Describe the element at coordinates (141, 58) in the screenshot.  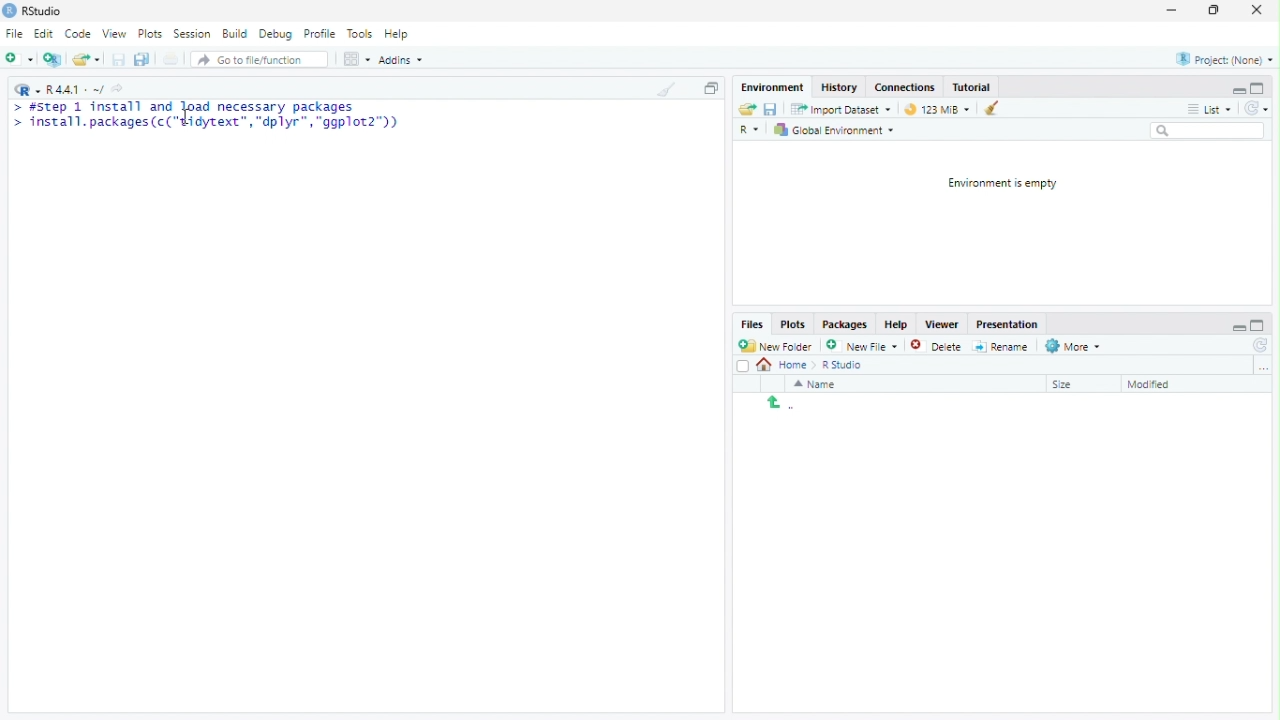
I see `Save all tabs` at that location.